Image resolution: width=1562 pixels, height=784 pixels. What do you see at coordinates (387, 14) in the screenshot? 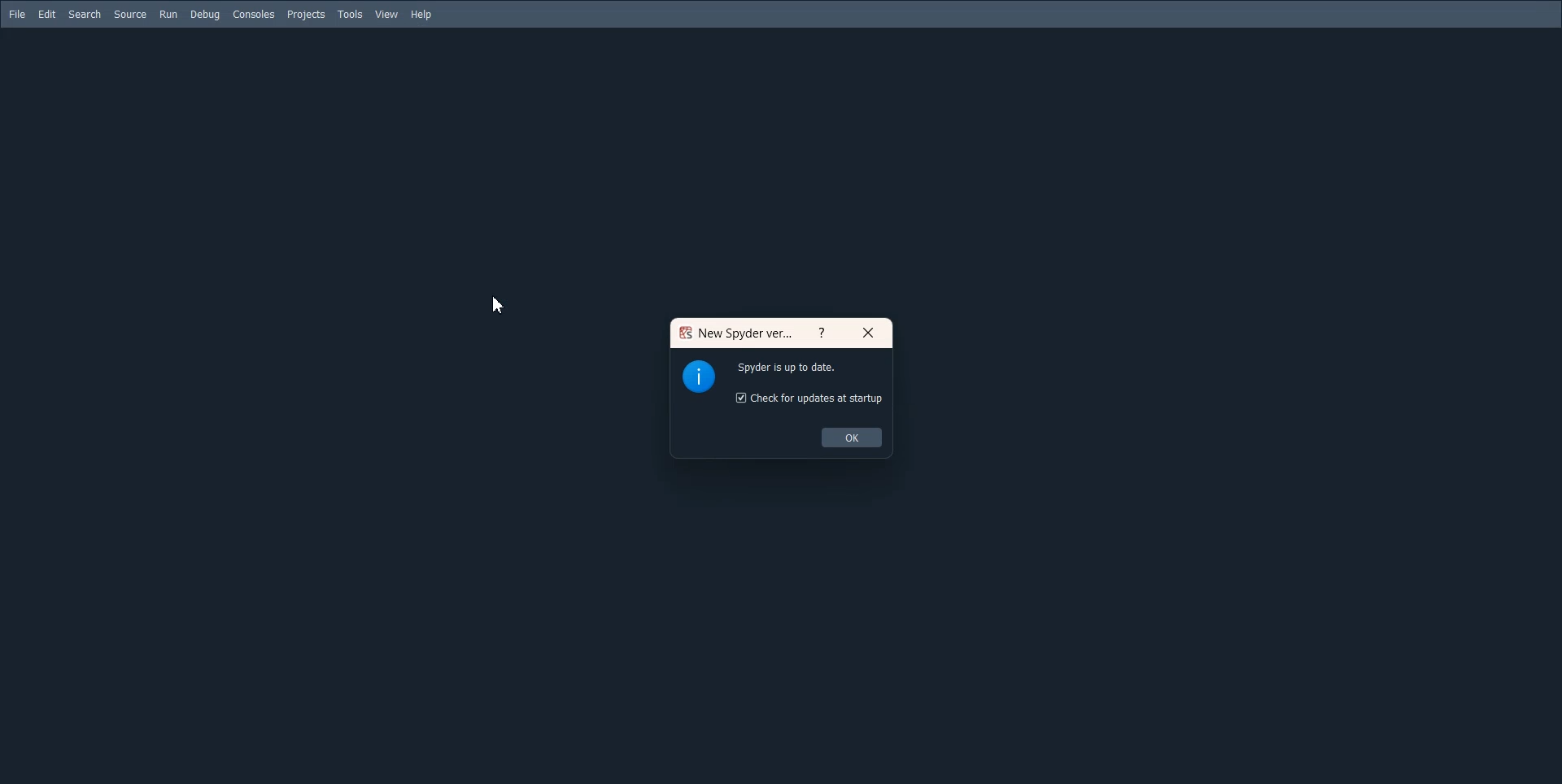
I see `View` at bounding box center [387, 14].